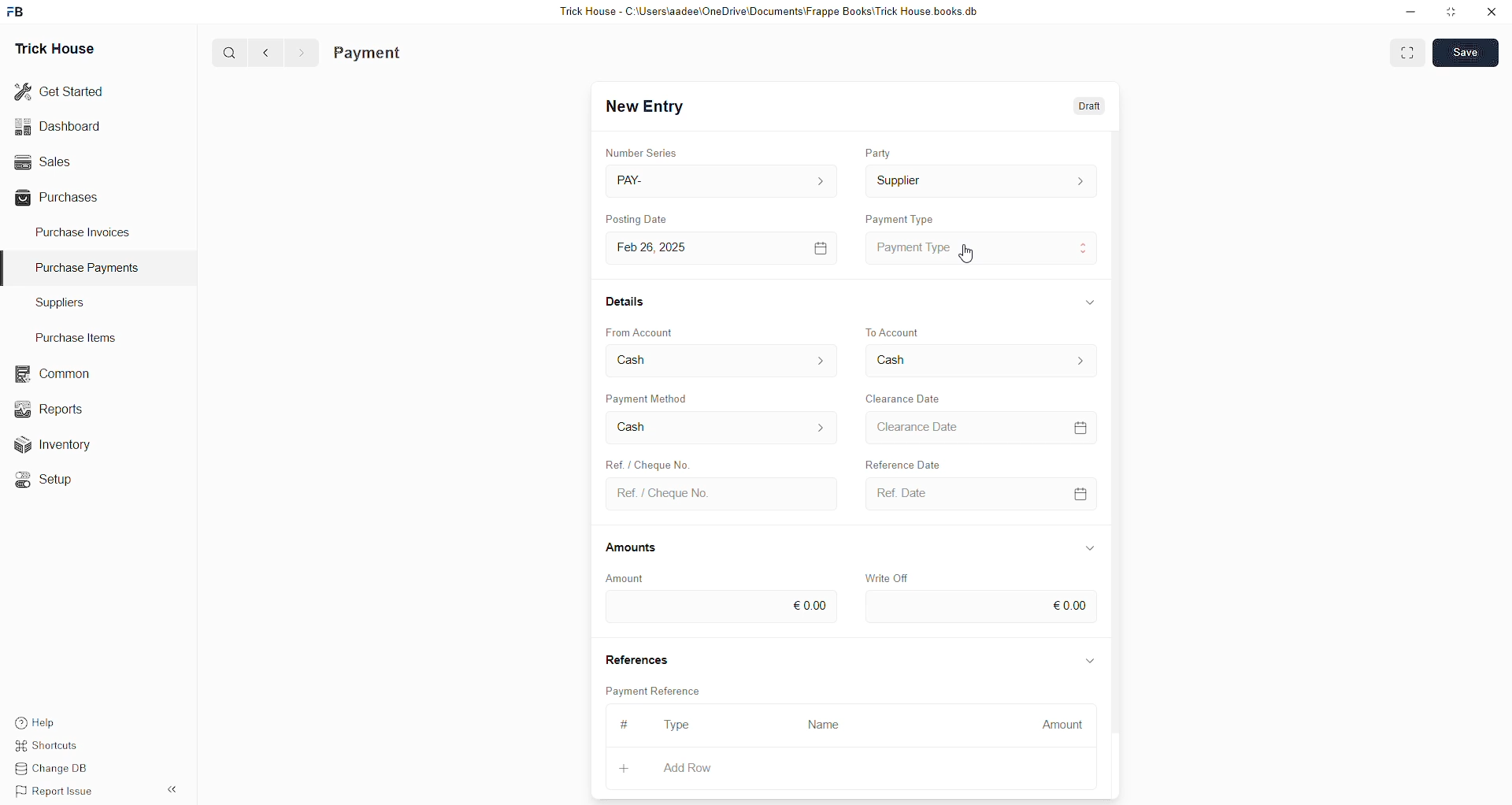 The width and height of the screenshot is (1512, 805). Describe the element at coordinates (636, 658) in the screenshot. I see `References` at that location.